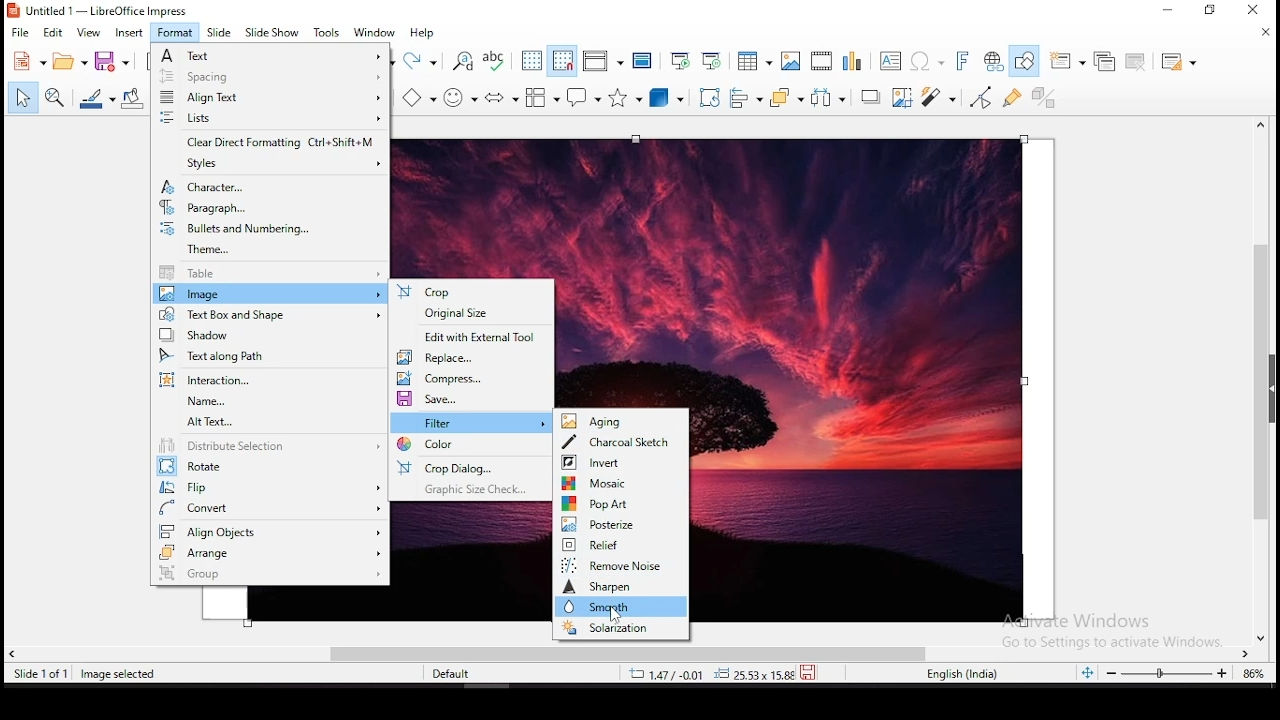 This screenshot has height=720, width=1280. Describe the element at coordinates (627, 98) in the screenshot. I see `stars and banners` at that location.